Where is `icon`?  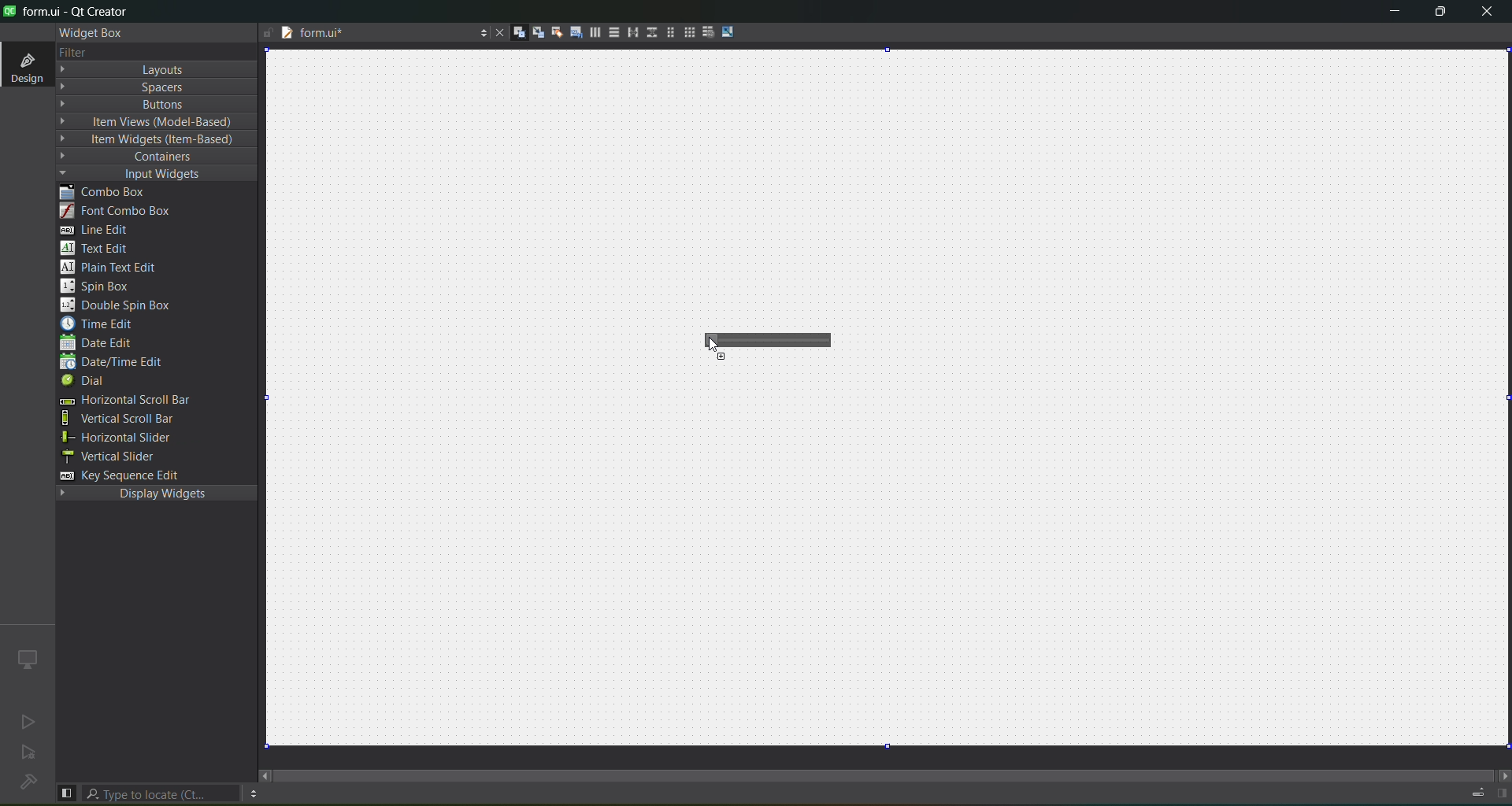
icon is located at coordinates (27, 657).